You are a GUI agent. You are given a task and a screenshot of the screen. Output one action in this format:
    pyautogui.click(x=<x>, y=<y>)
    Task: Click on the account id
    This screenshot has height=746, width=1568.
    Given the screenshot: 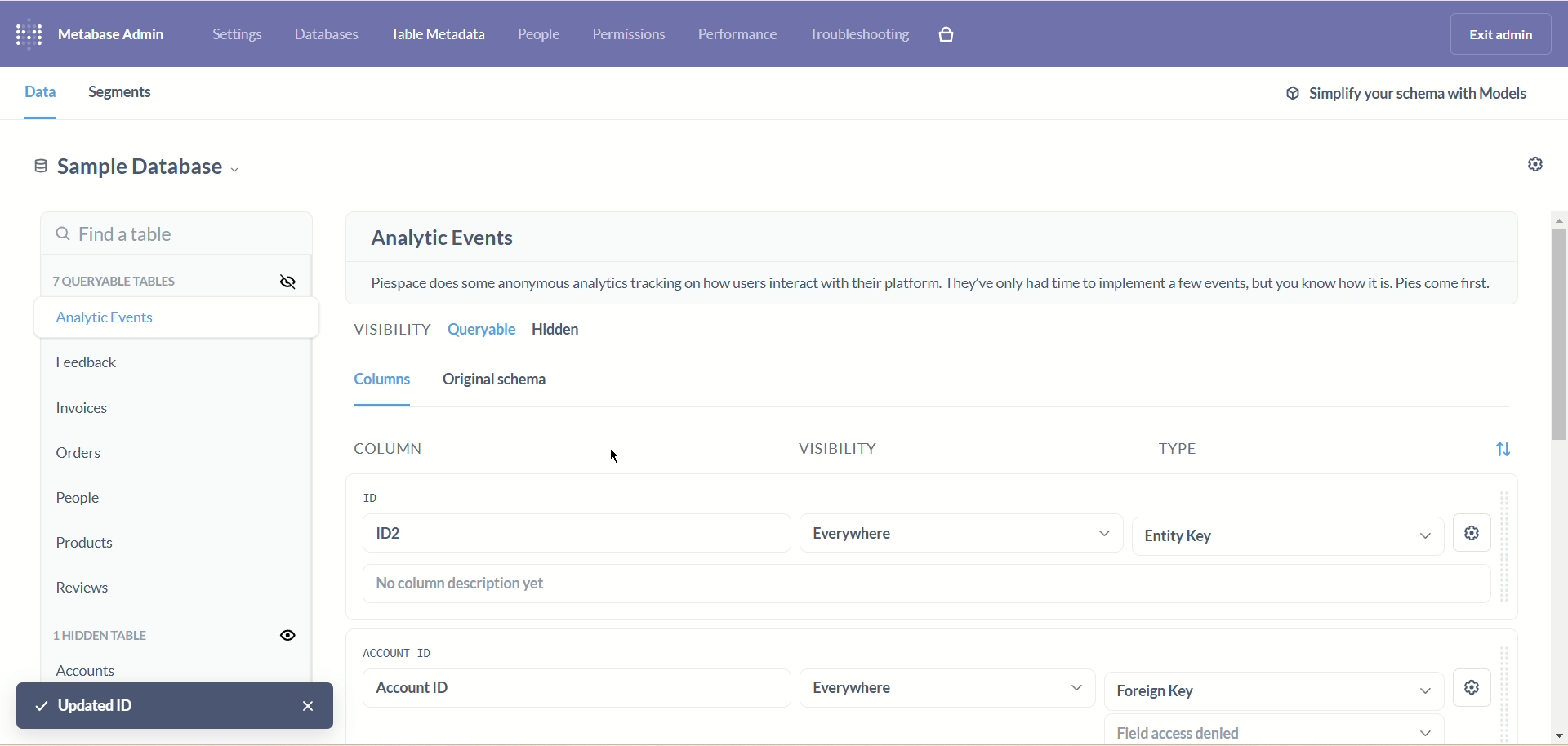 What is the action you would take?
    pyautogui.click(x=537, y=688)
    